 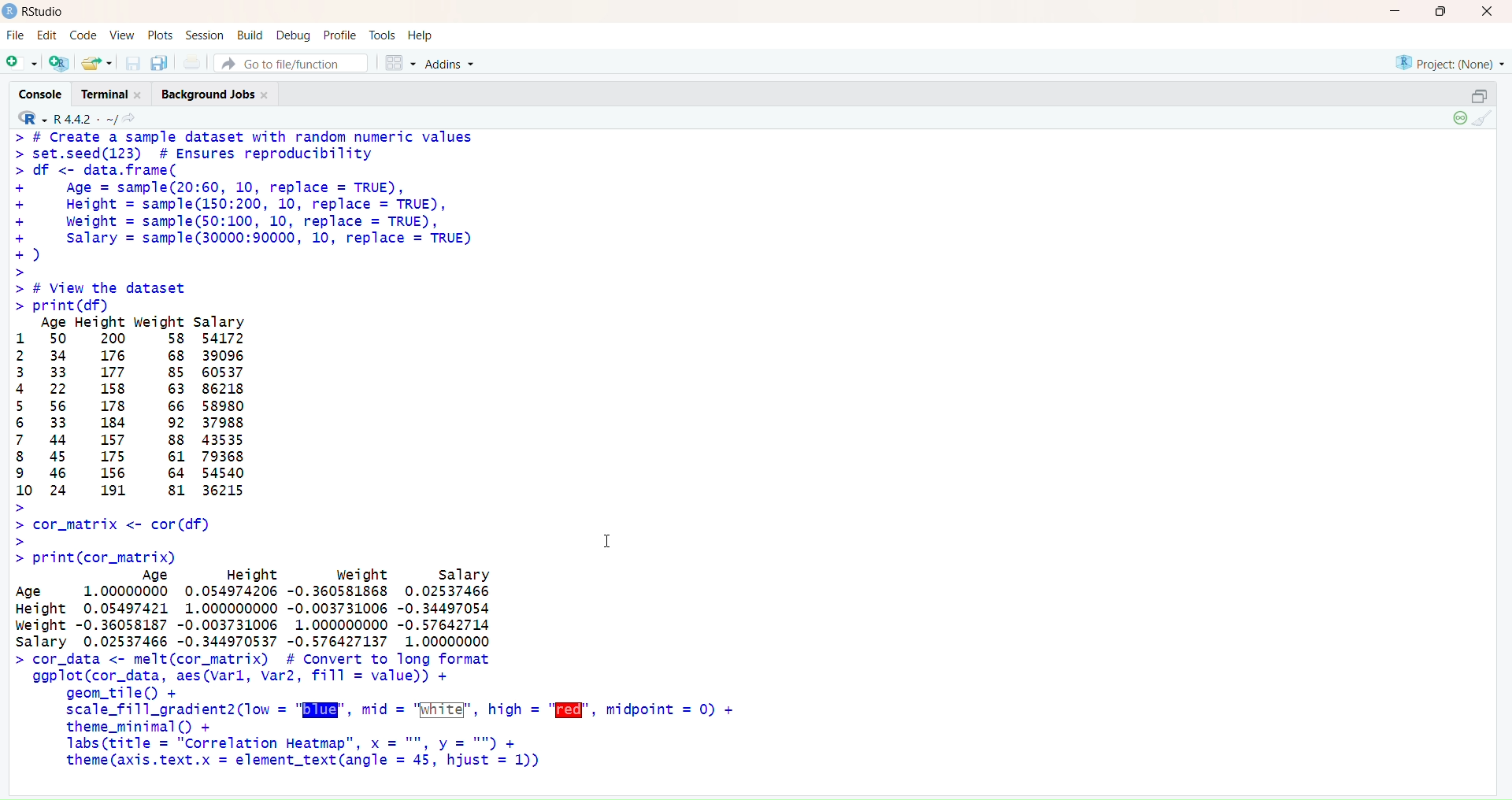 I want to click on Create a project, so click(x=57, y=61).